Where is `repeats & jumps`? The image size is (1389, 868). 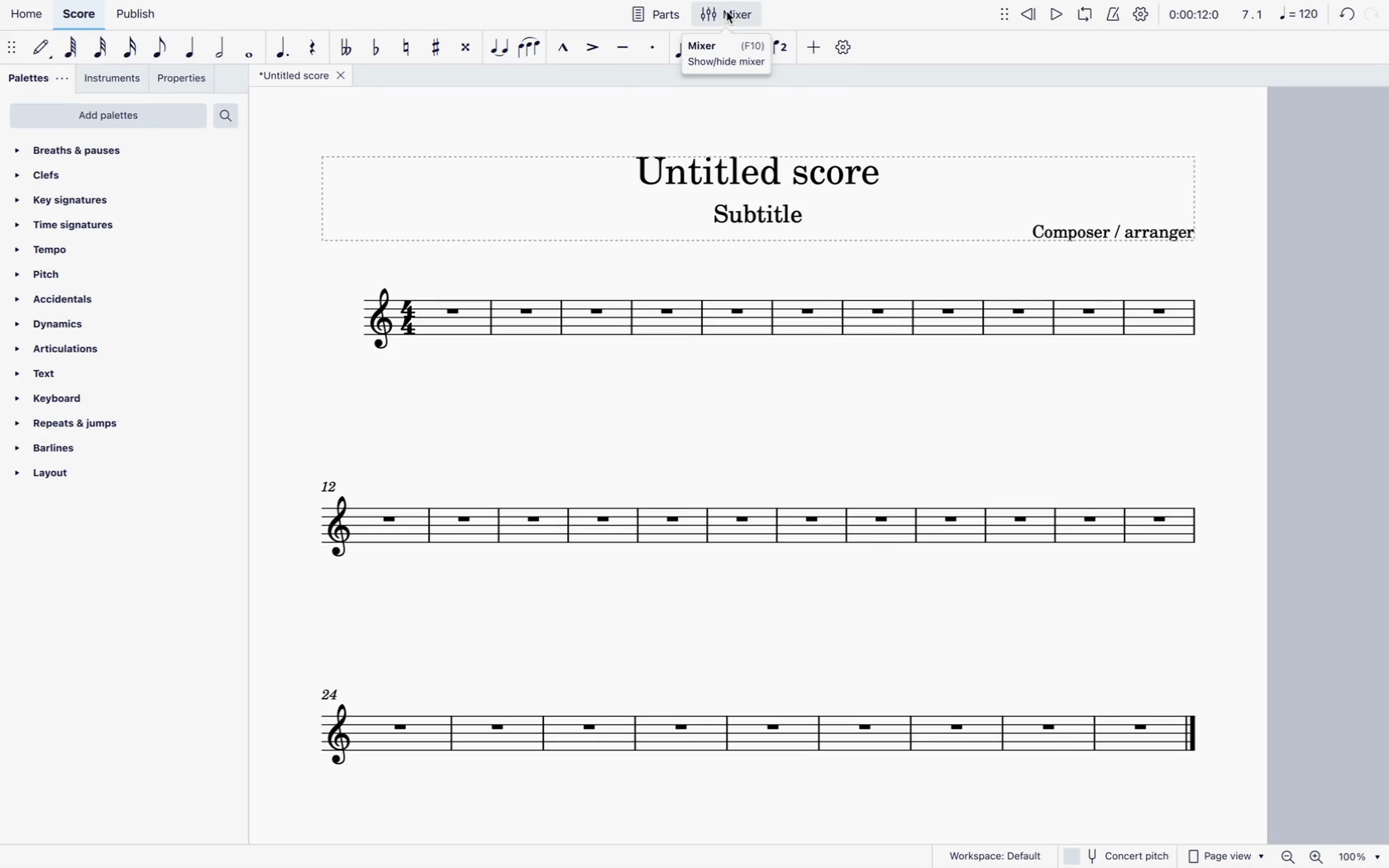
repeats & jumps is located at coordinates (83, 423).